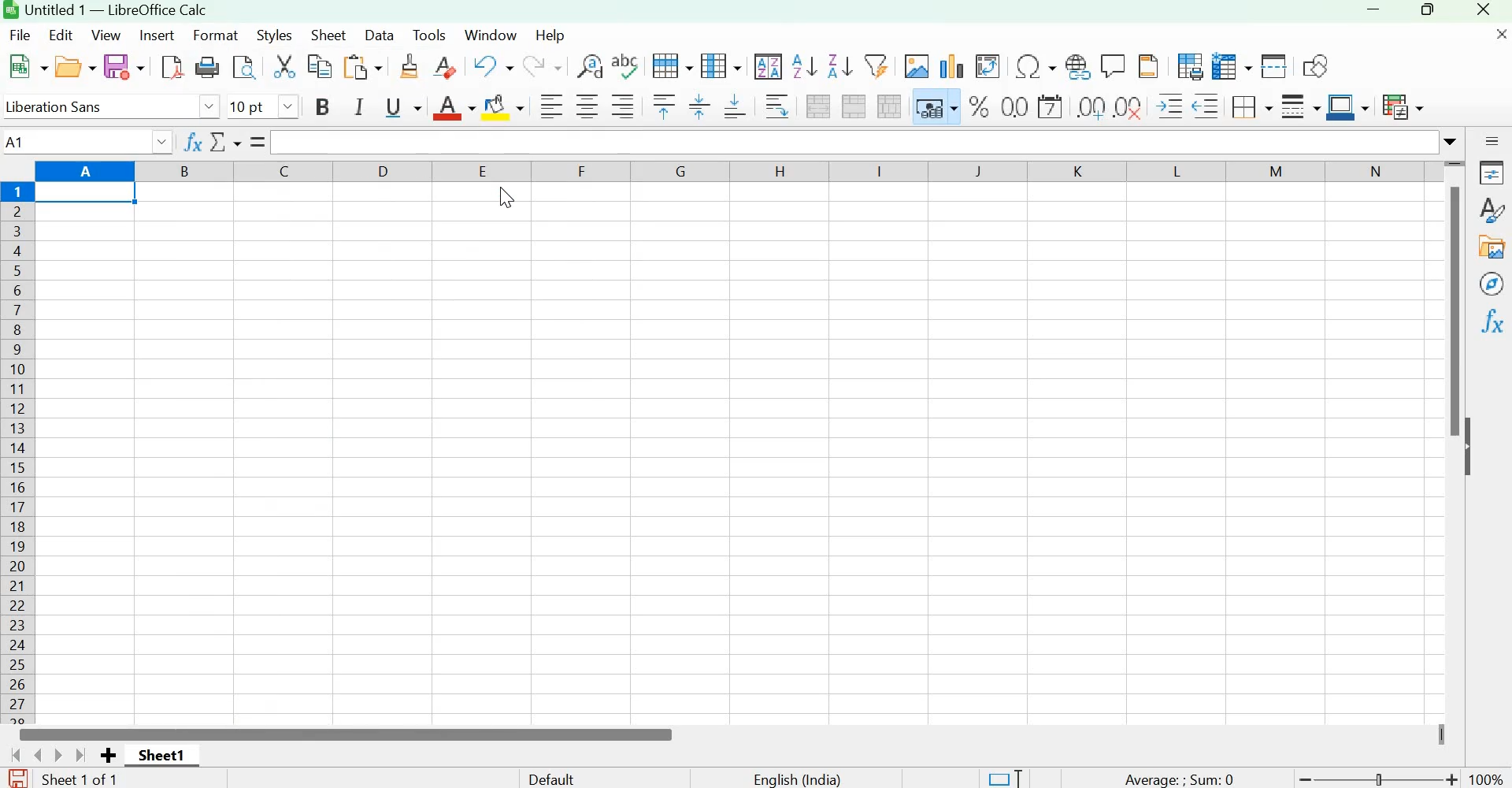 This screenshot has width=1512, height=788. What do you see at coordinates (380, 34) in the screenshot?
I see `Data` at bounding box center [380, 34].